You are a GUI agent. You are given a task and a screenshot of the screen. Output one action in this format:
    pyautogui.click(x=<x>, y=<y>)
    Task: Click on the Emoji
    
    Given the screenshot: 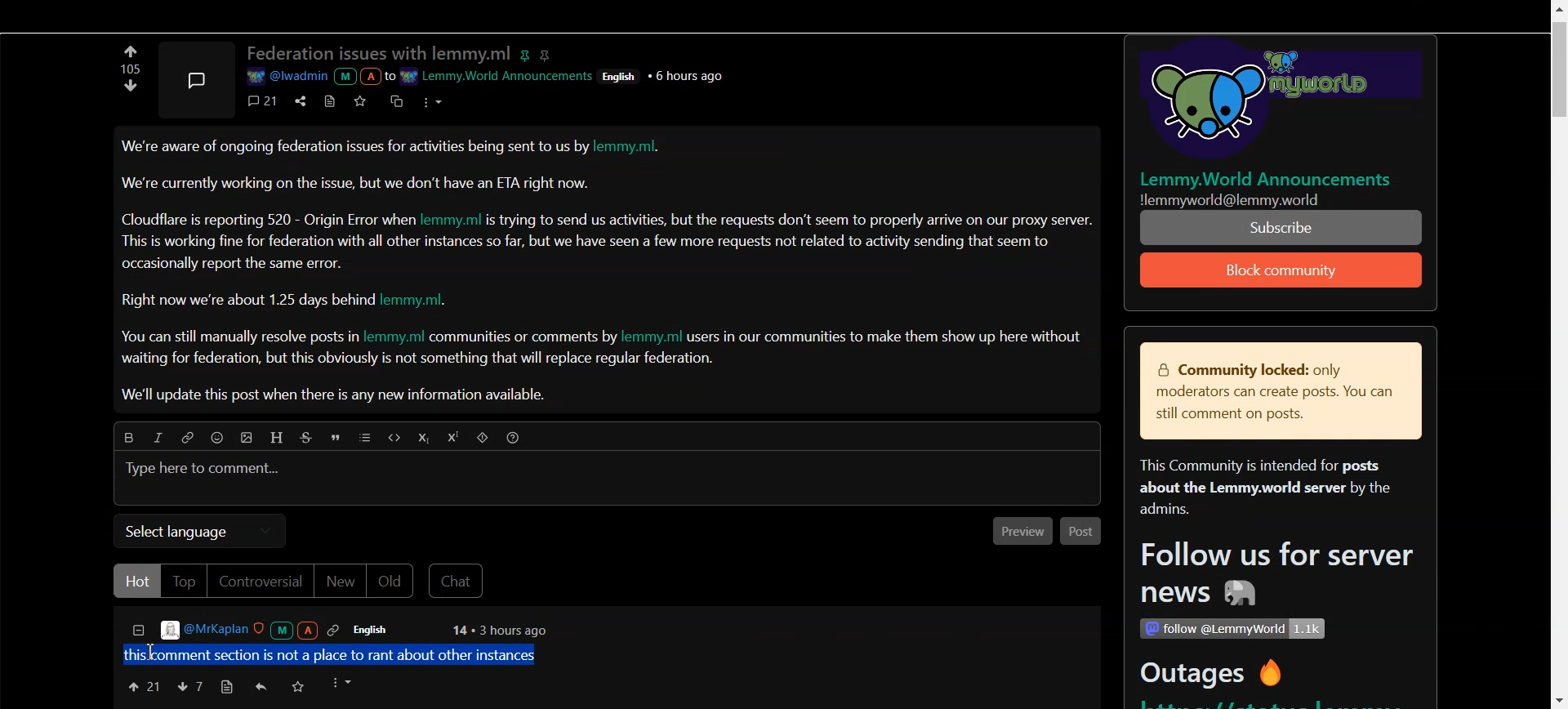 What is the action you would take?
    pyautogui.click(x=221, y=439)
    